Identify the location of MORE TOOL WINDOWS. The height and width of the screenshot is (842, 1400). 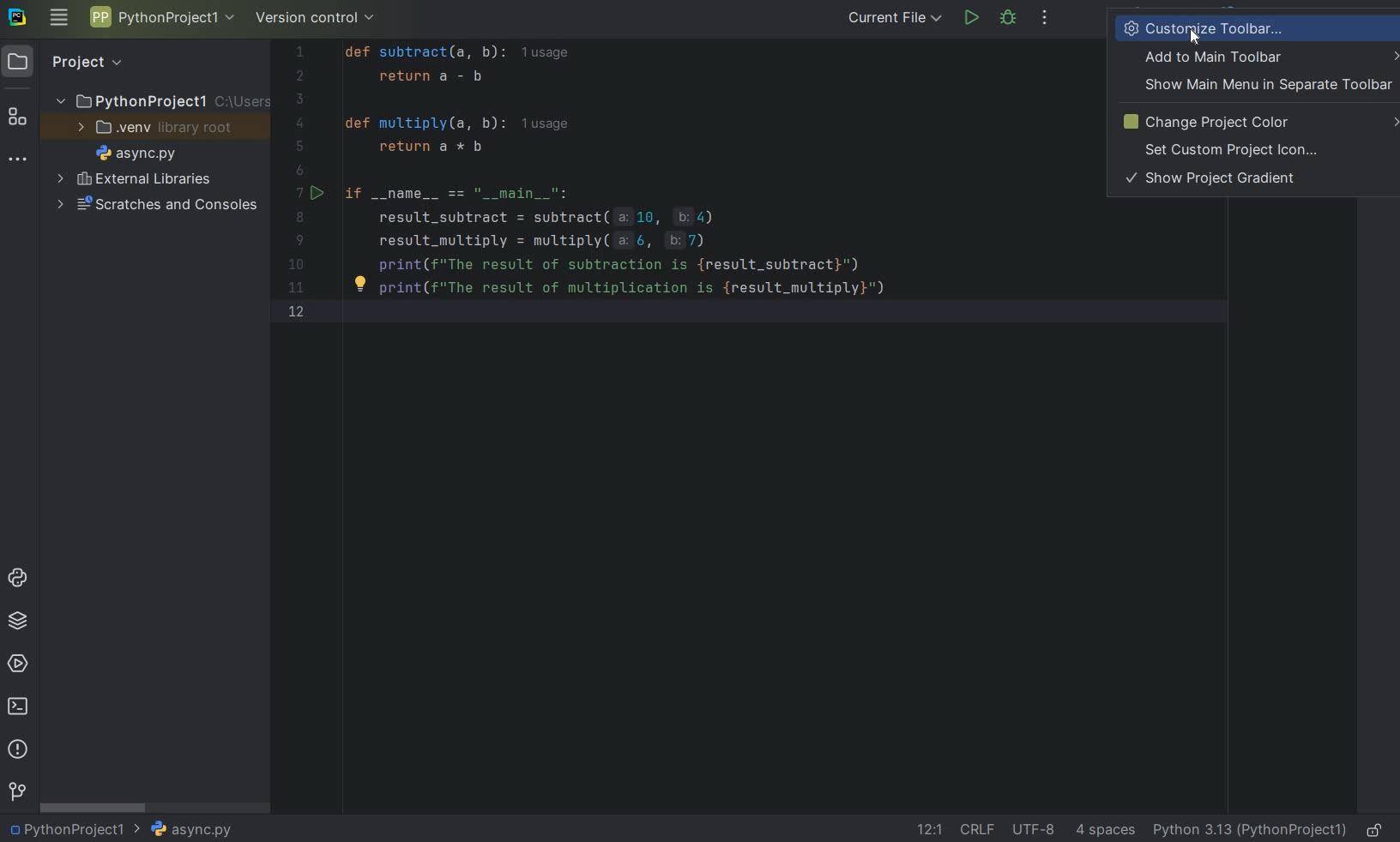
(18, 160).